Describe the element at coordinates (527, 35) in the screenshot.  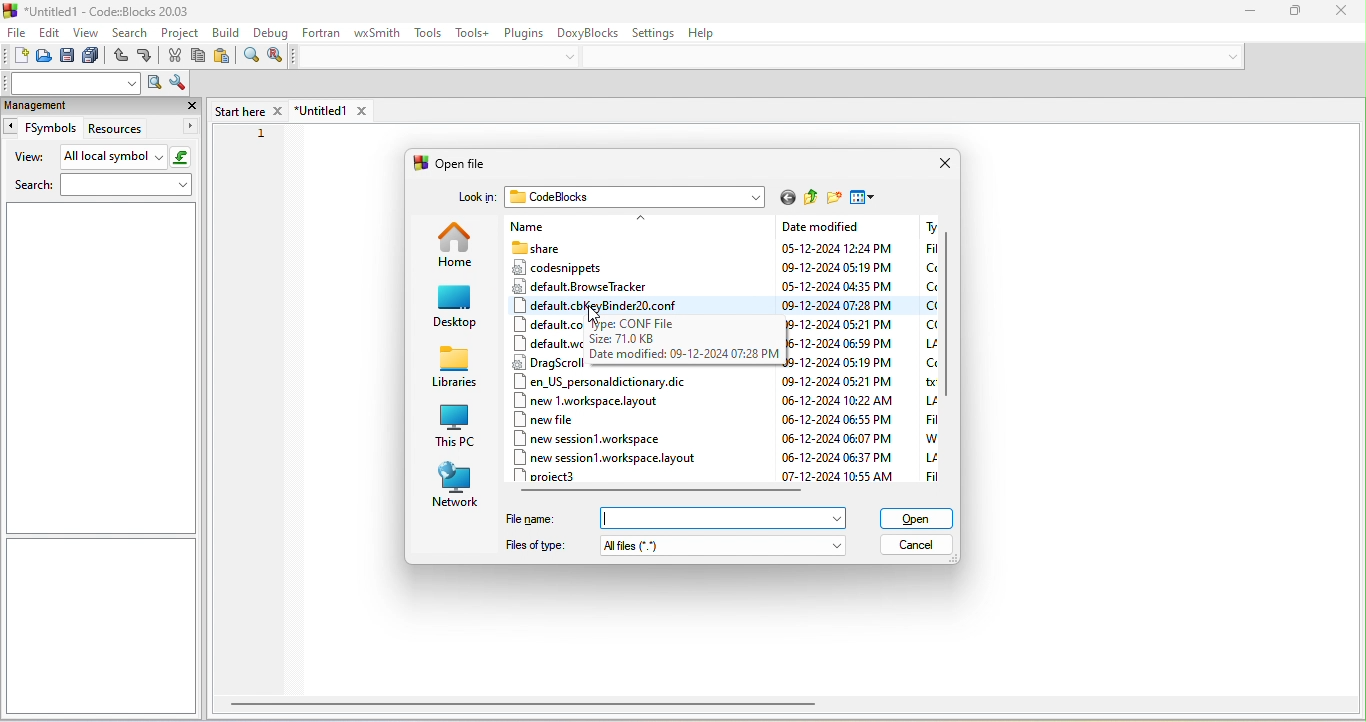
I see `plugins` at that location.